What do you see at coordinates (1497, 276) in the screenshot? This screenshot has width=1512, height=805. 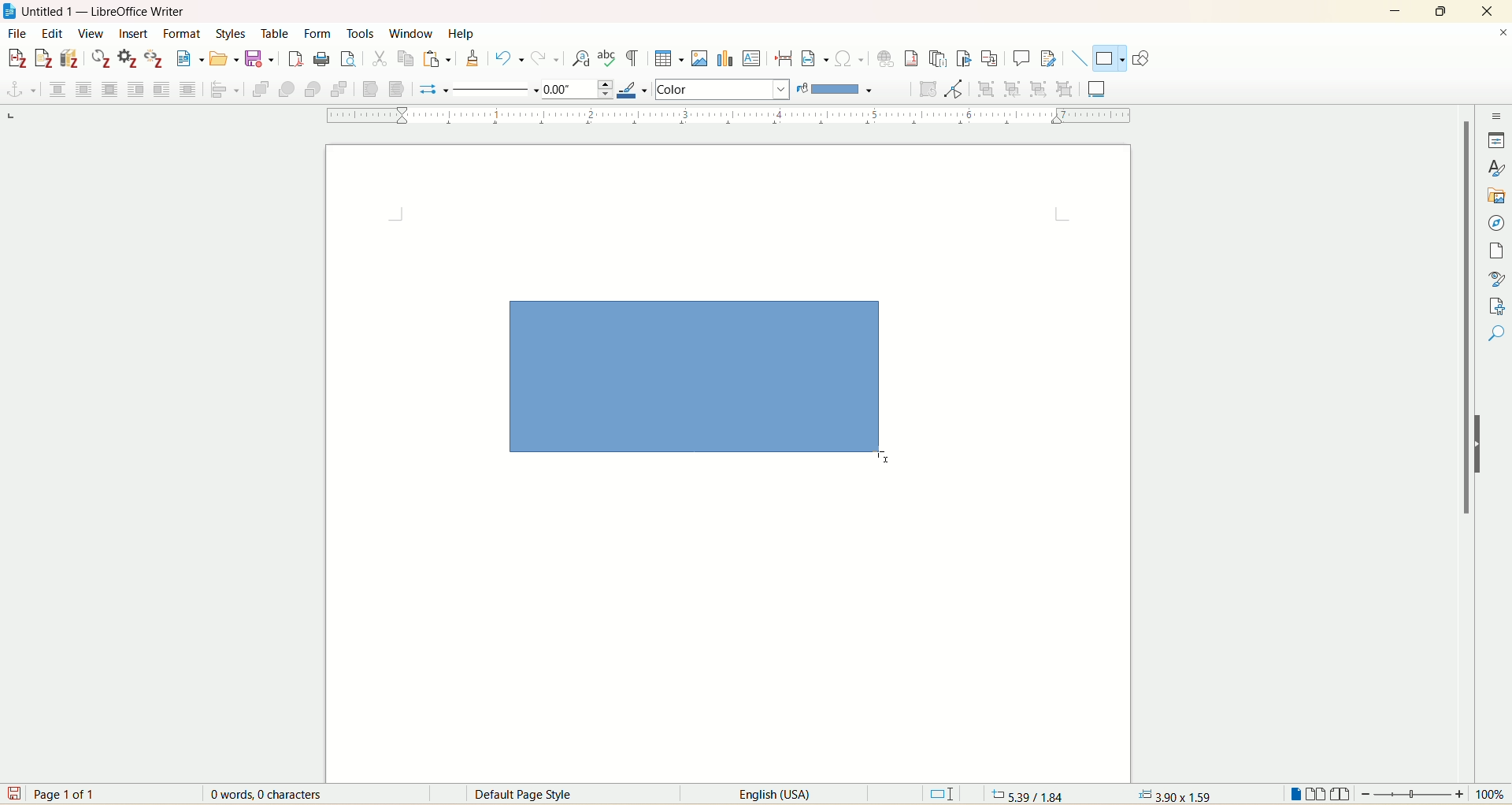 I see `style inspector` at bounding box center [1497, 276].